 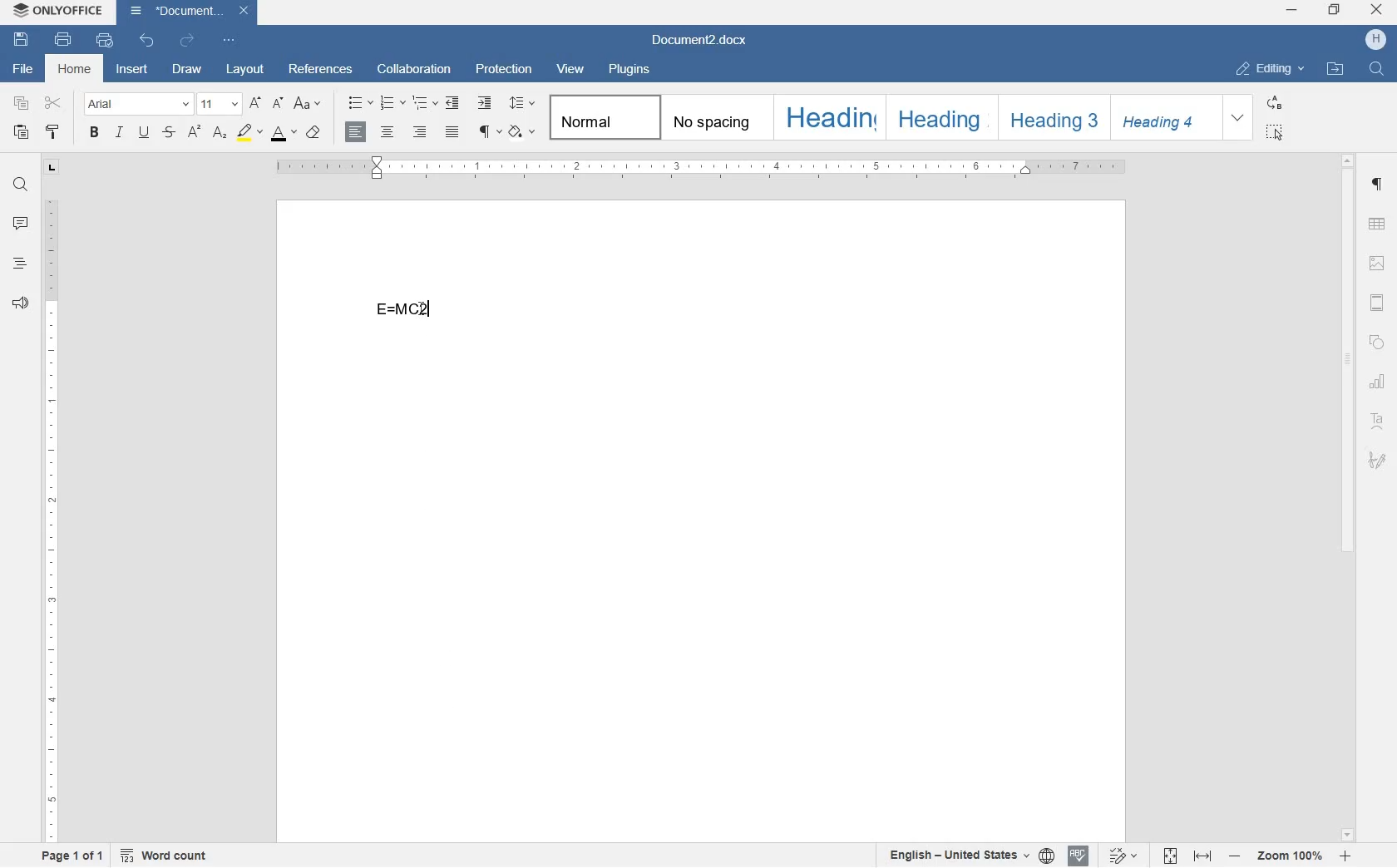 What do you see at coordinates (20, 303) in the screenshot?
I see `feedback & support` at bounding box center [20, 303].